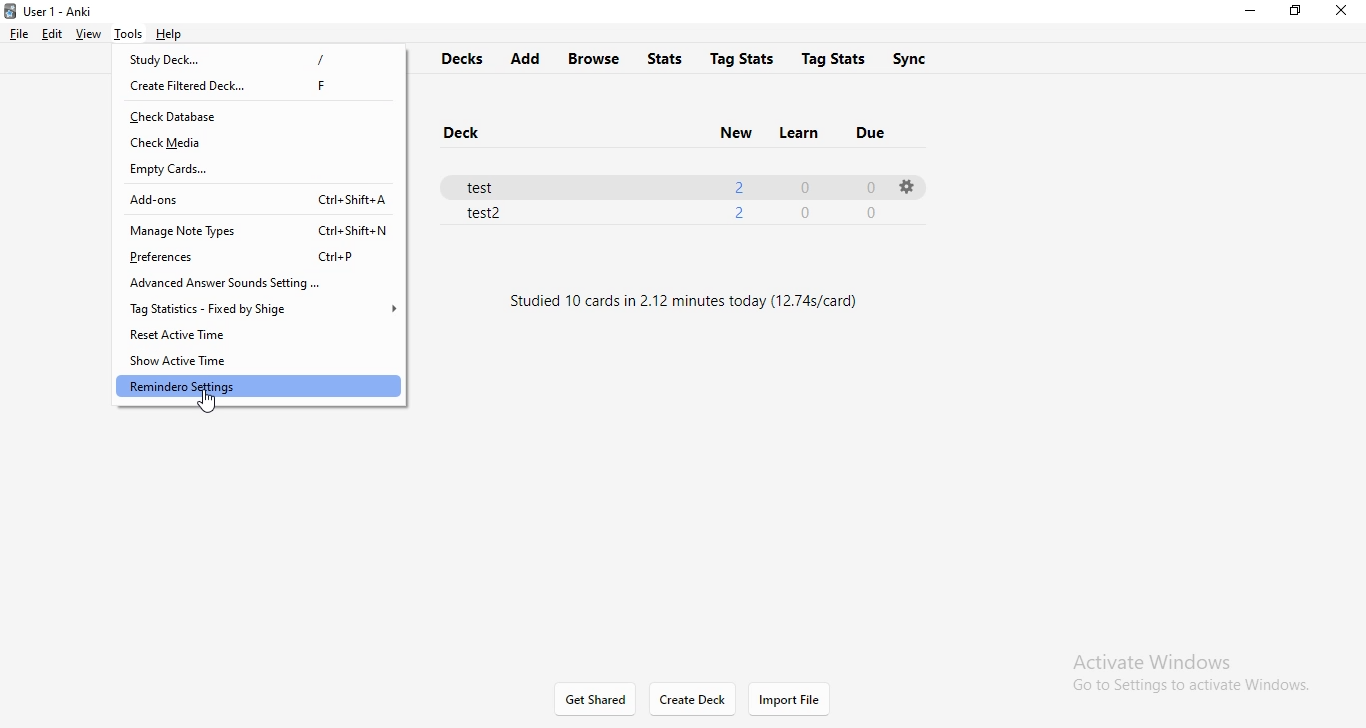  What do you see at coordinates (868, 212) in the screenshot?
I see `0` at bounding box center [868, 212].